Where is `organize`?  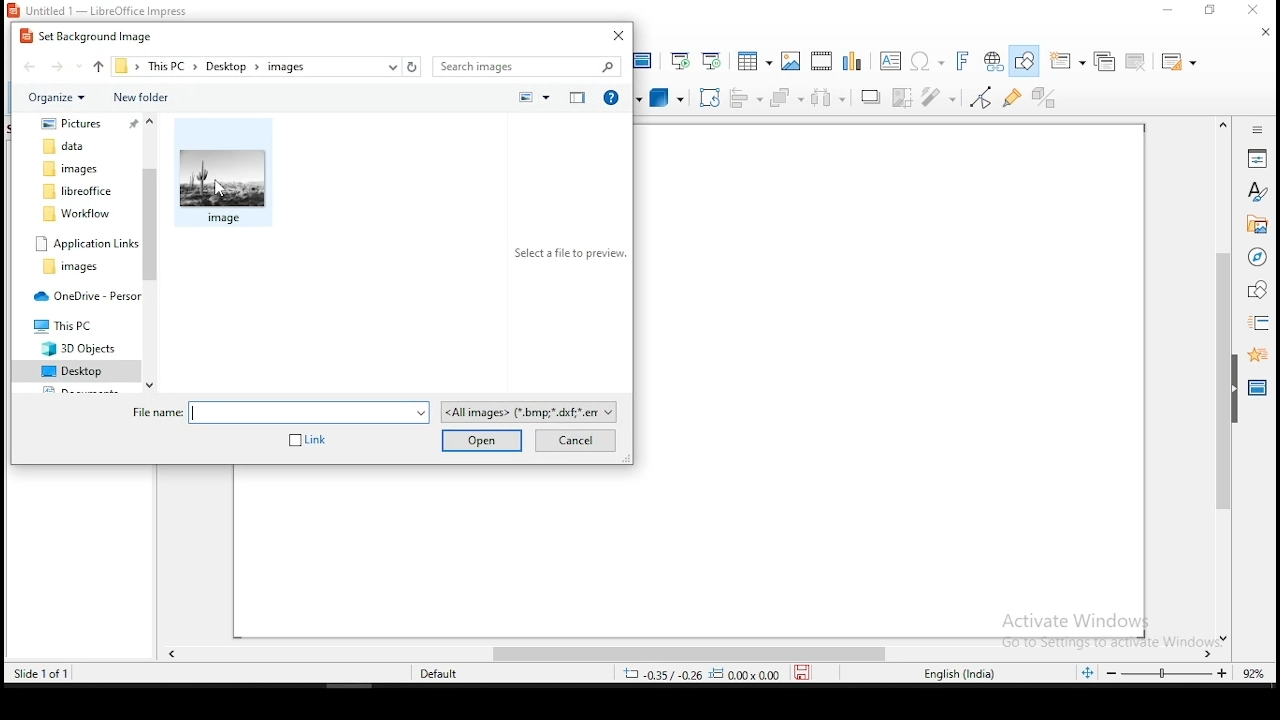
organize is located at coordinates (55, 97).